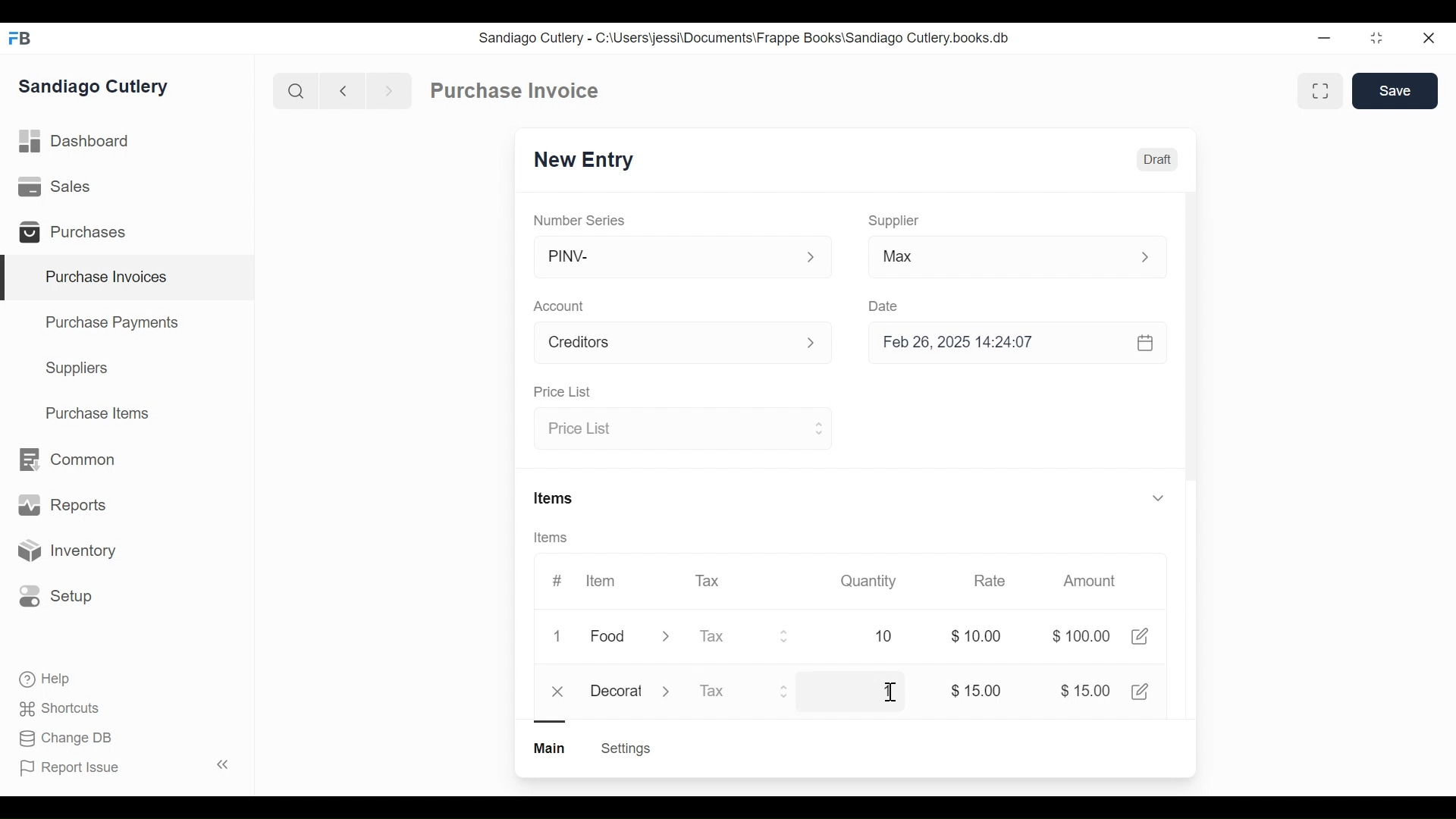 This screenshot has height=819, width=1456. I want to click on Dashboard, so click(76, 142).